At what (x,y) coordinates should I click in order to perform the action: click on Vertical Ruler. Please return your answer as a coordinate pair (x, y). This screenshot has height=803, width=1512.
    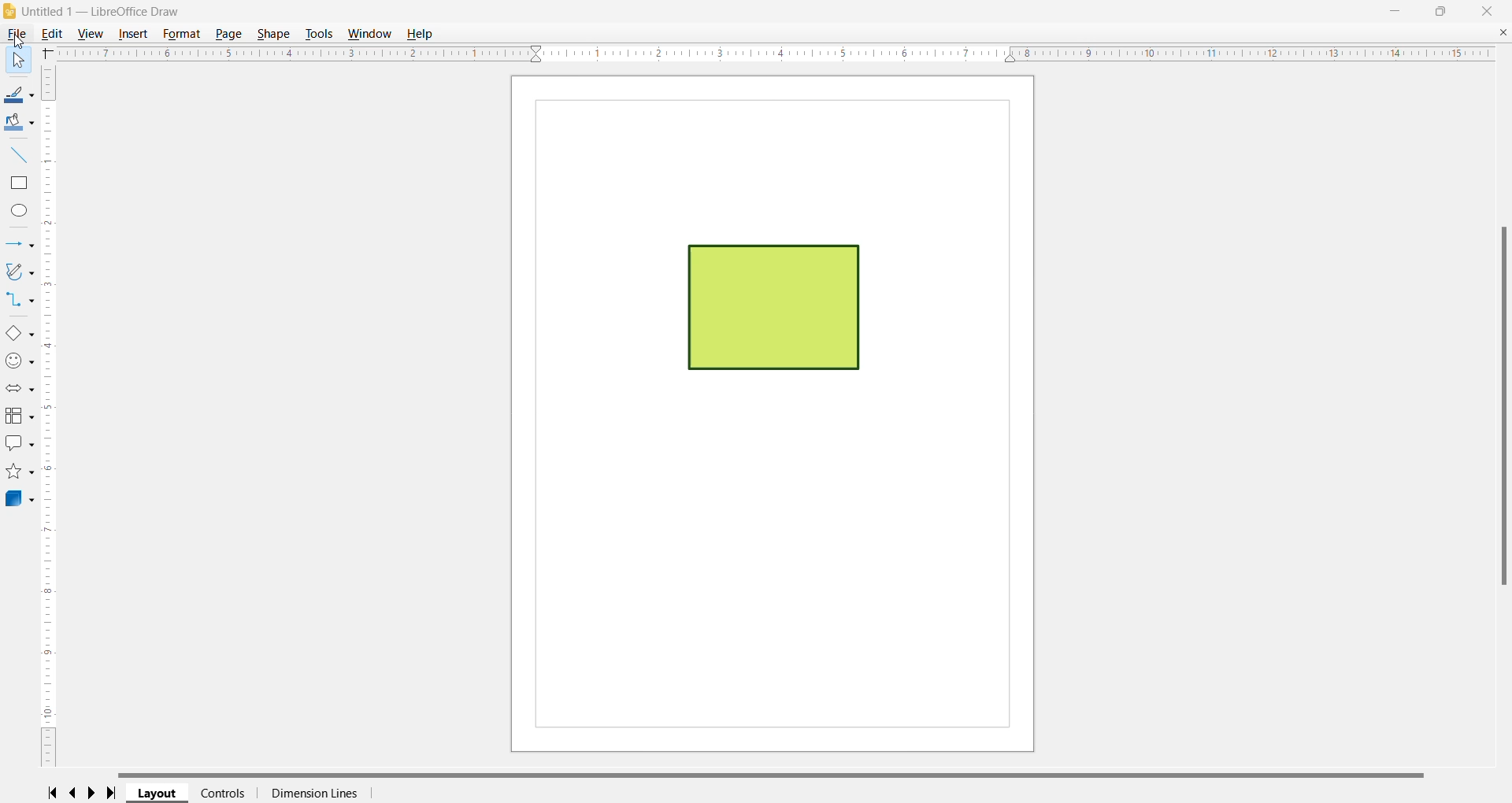
    Looking at the image, I should click on (50, 415).